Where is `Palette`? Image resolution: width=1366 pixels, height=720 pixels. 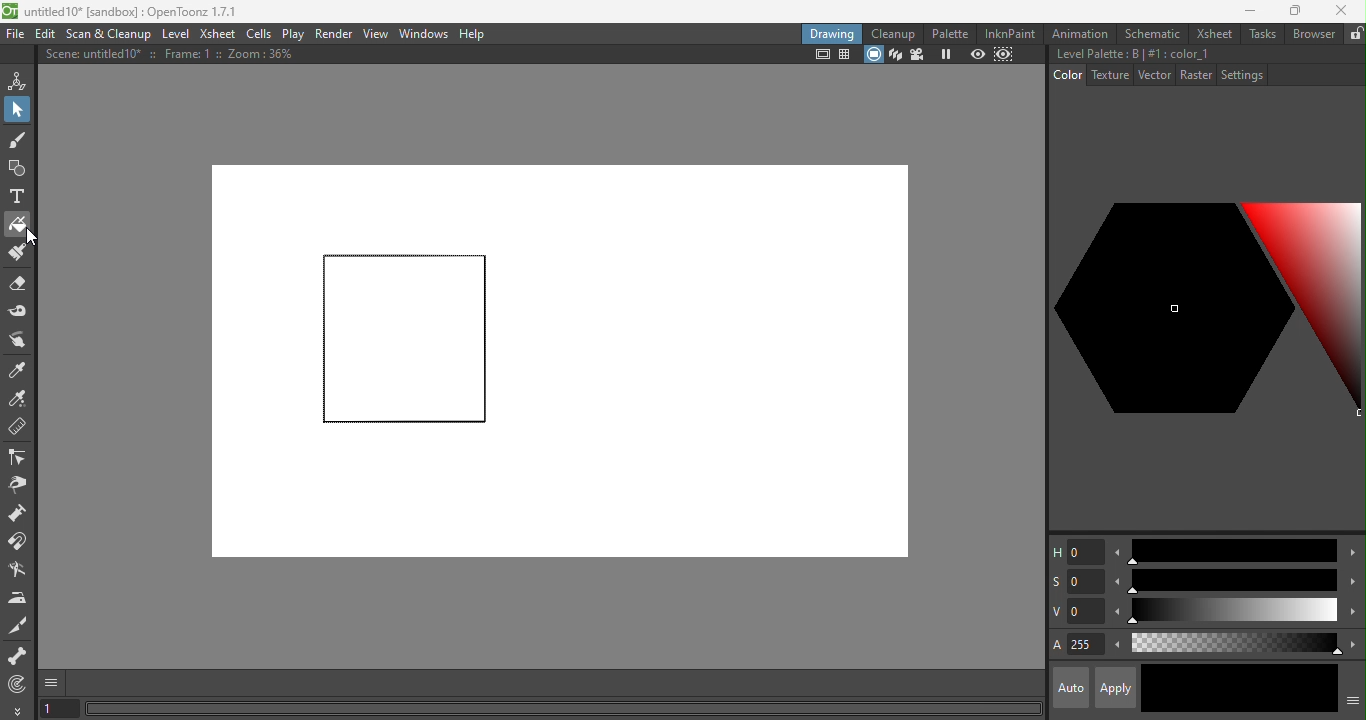 Palette is located at coordinates (952, 34).